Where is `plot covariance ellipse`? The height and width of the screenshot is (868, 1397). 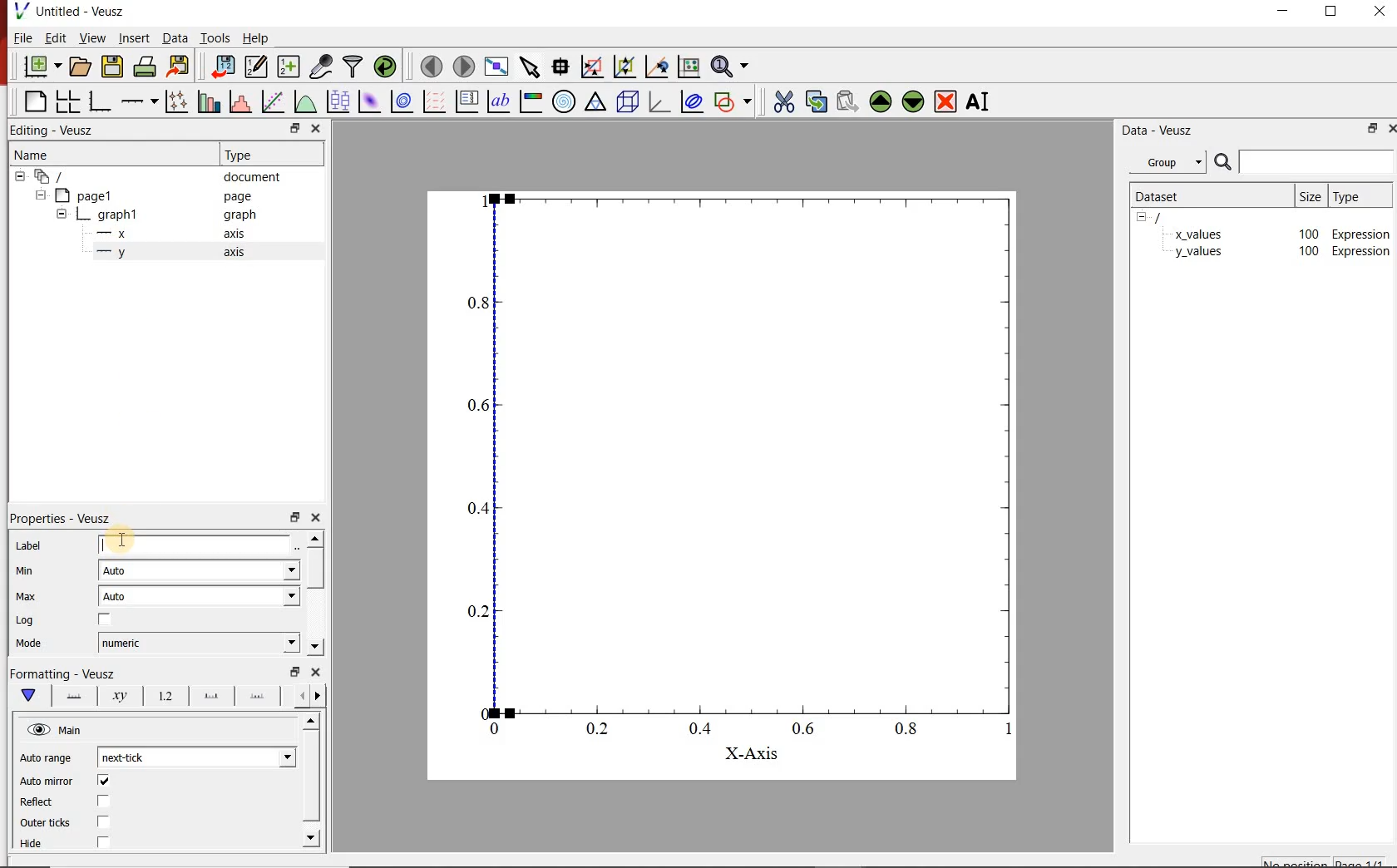 plot covariance ellipse is located at coordinates (690, 101).